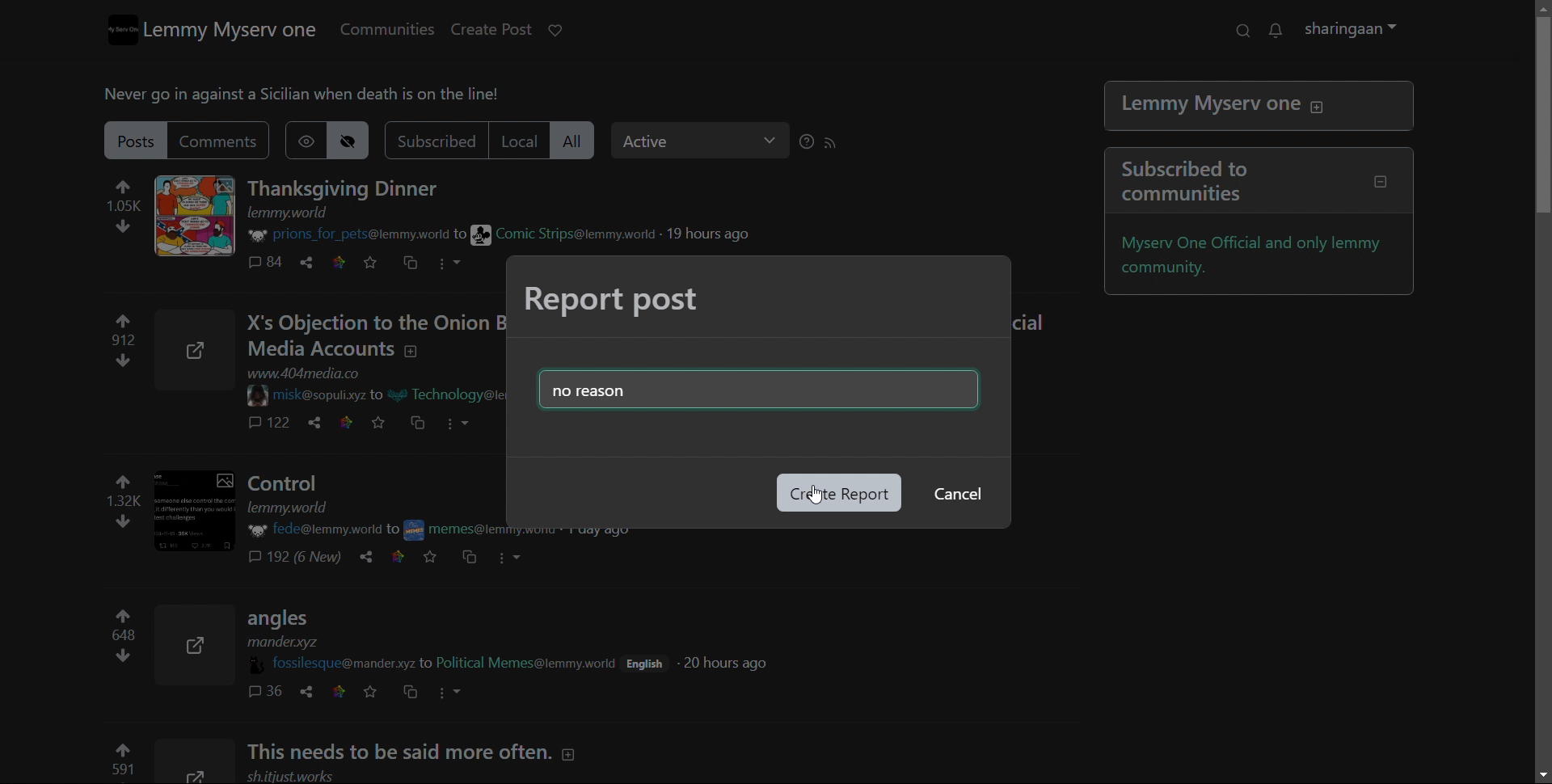 This screenshot has width=1552, height=784. Describe the element at coordinates (1538, 775) in the screenshot. I see `Scroll arrow down` at that location.